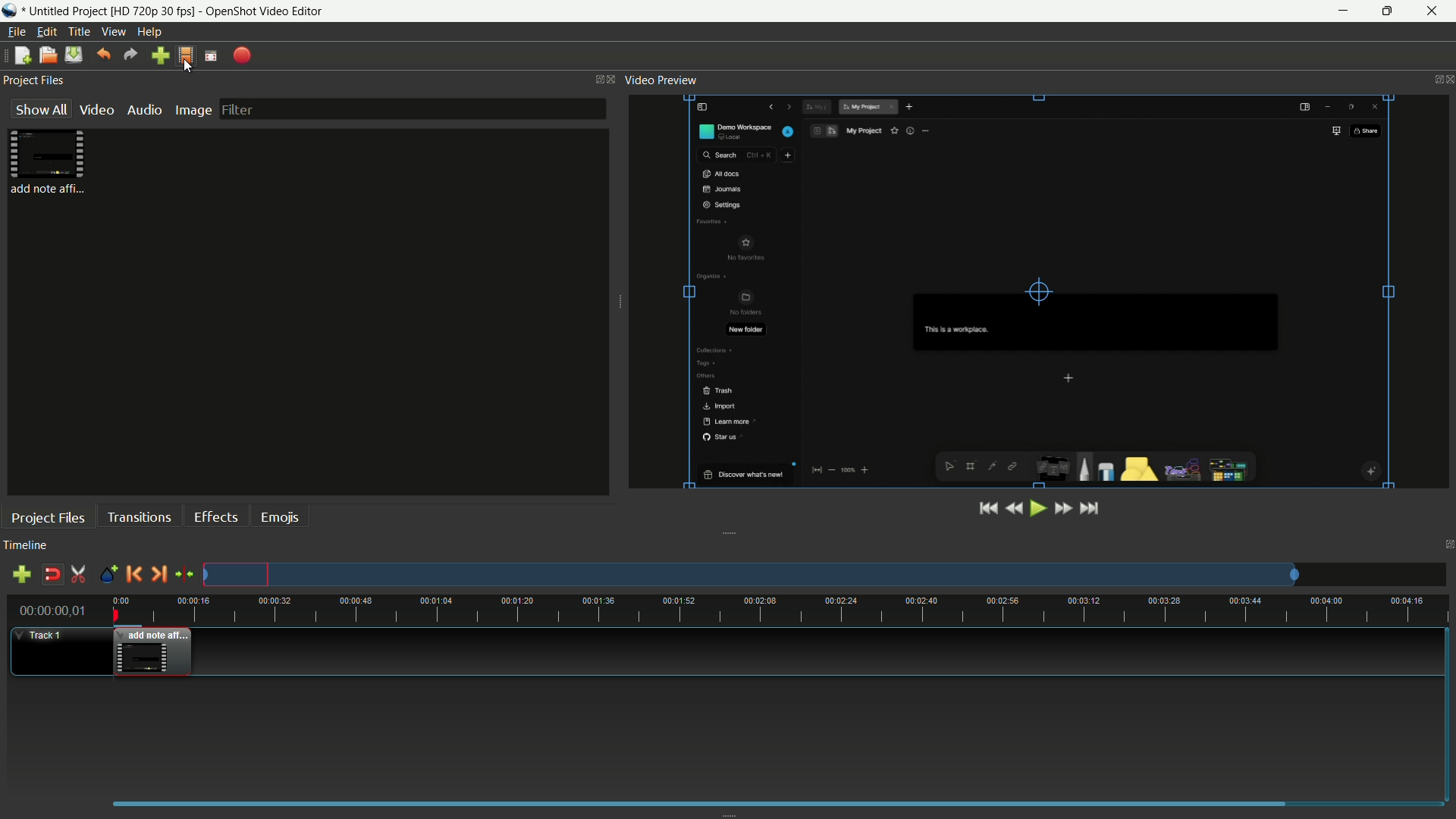  Describe the element at coordinates (26, 545) in the screenshot. I see `timeline` at that location.